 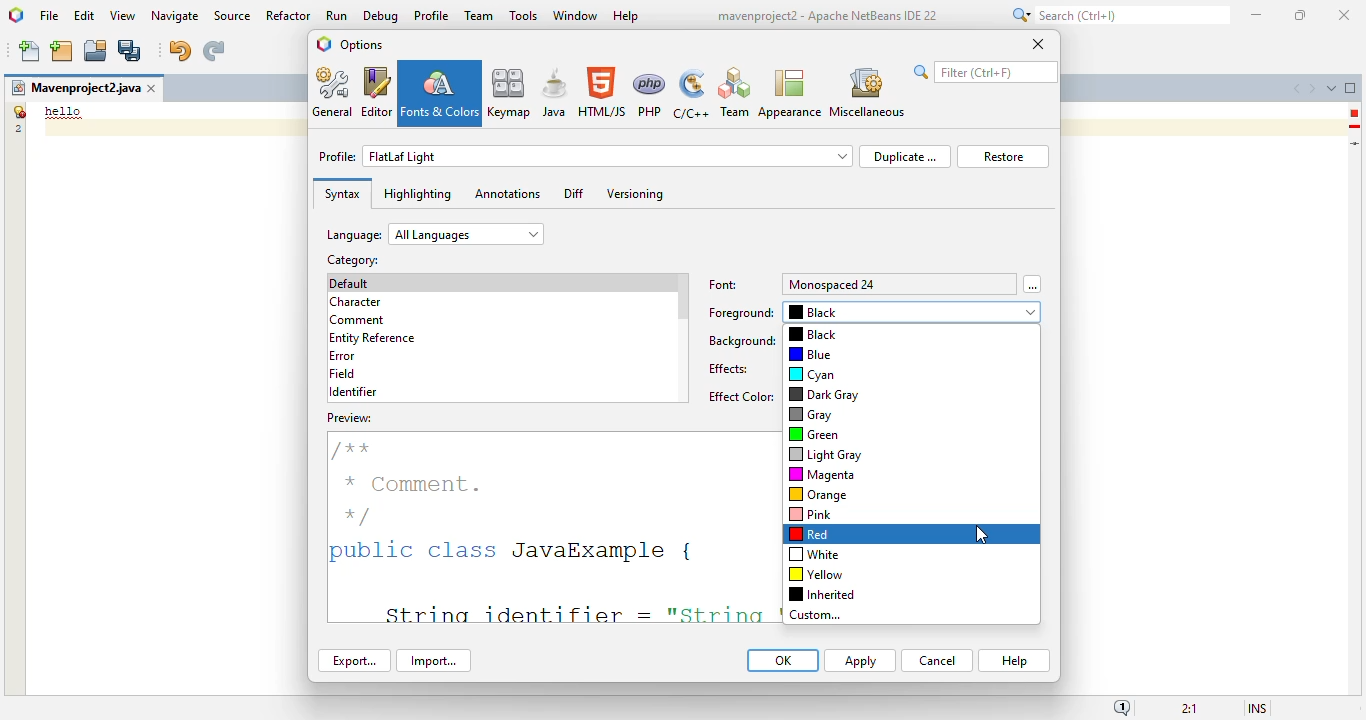 I want to click on java, so click(x=555, y=92).